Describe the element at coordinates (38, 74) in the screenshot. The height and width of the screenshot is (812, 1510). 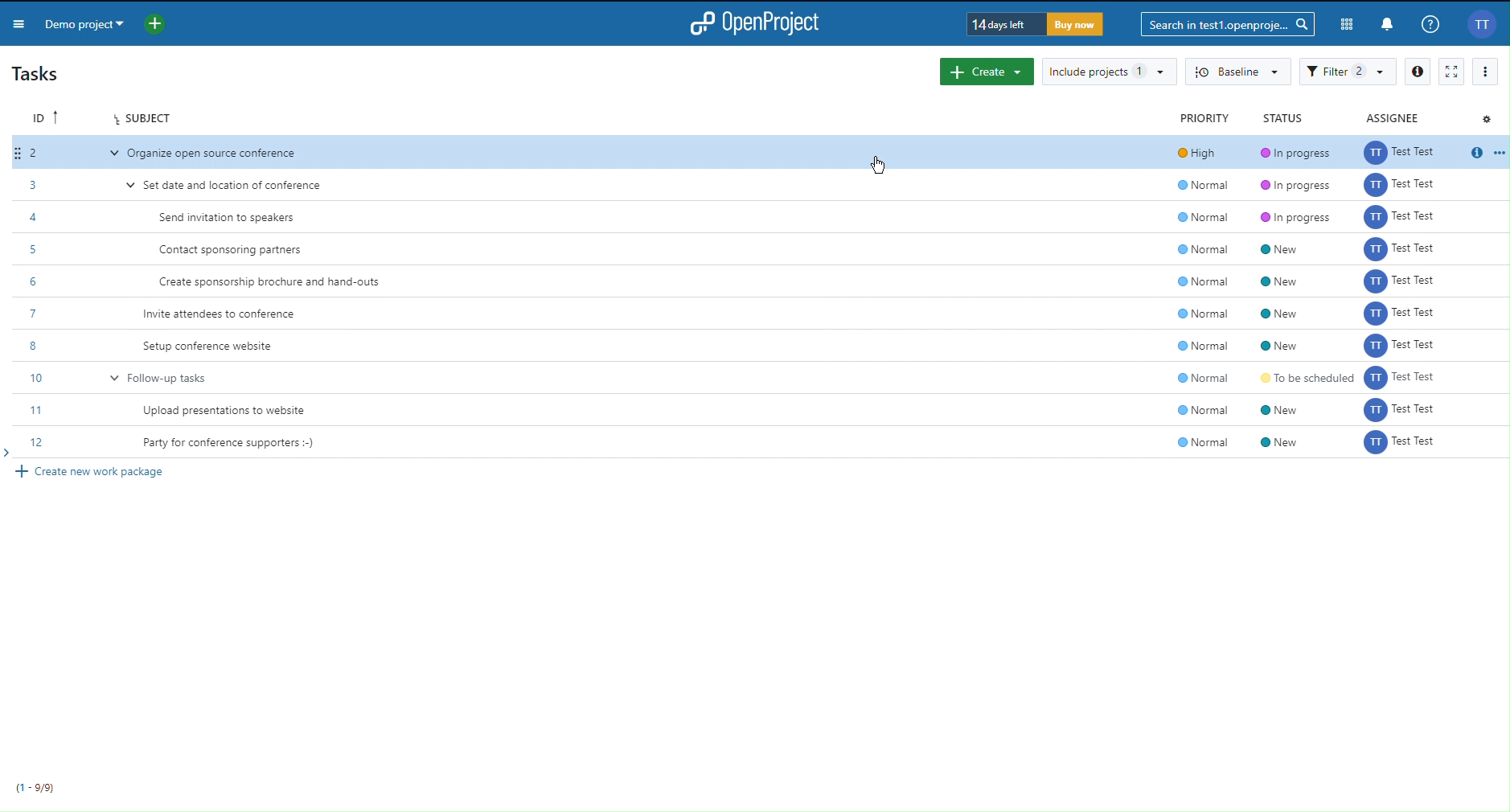
I see `Tasks` at that location.